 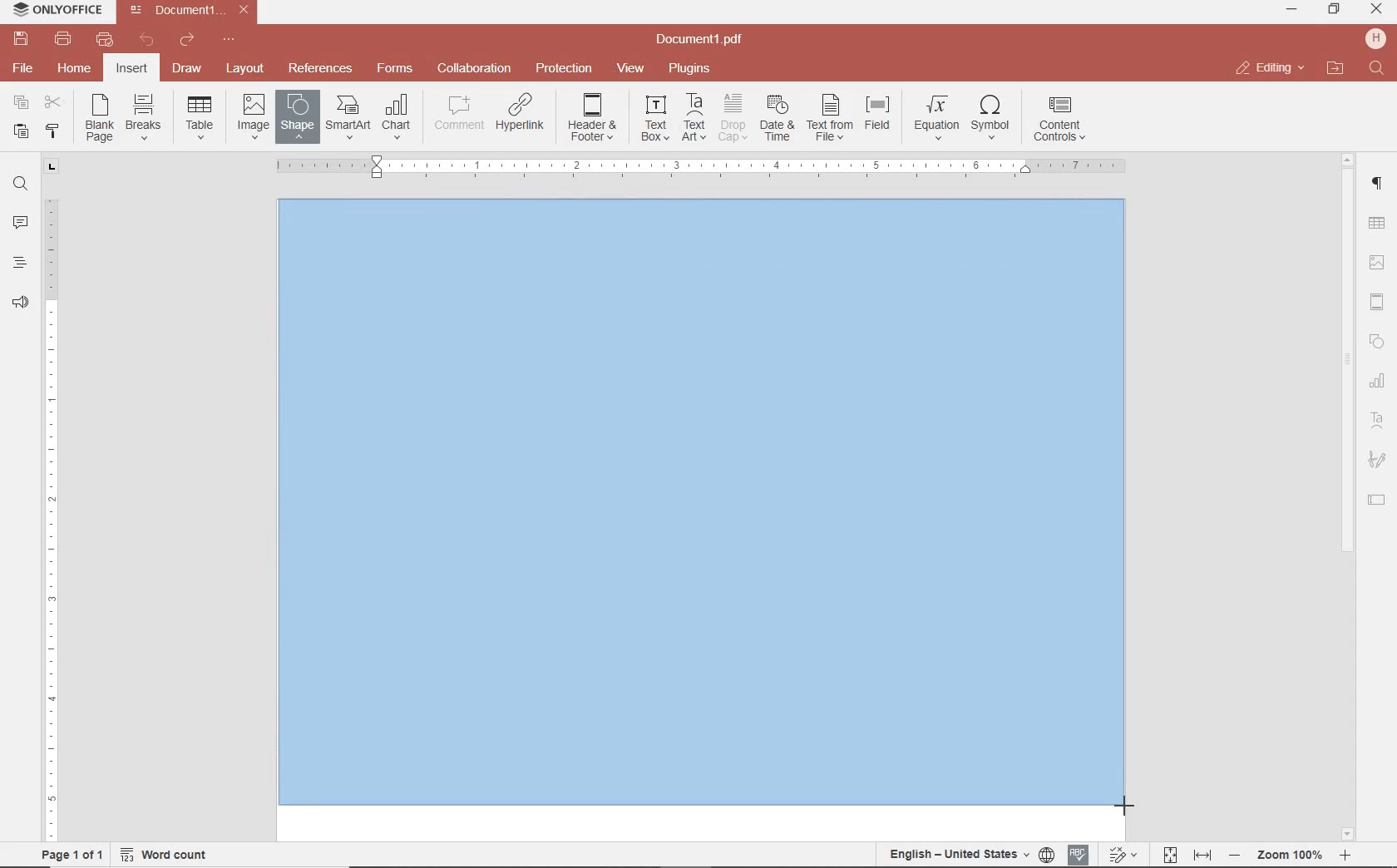 What do you see at coordinates (702, 510) in the screenshot?
I see `` at bounding box center [702, 510].